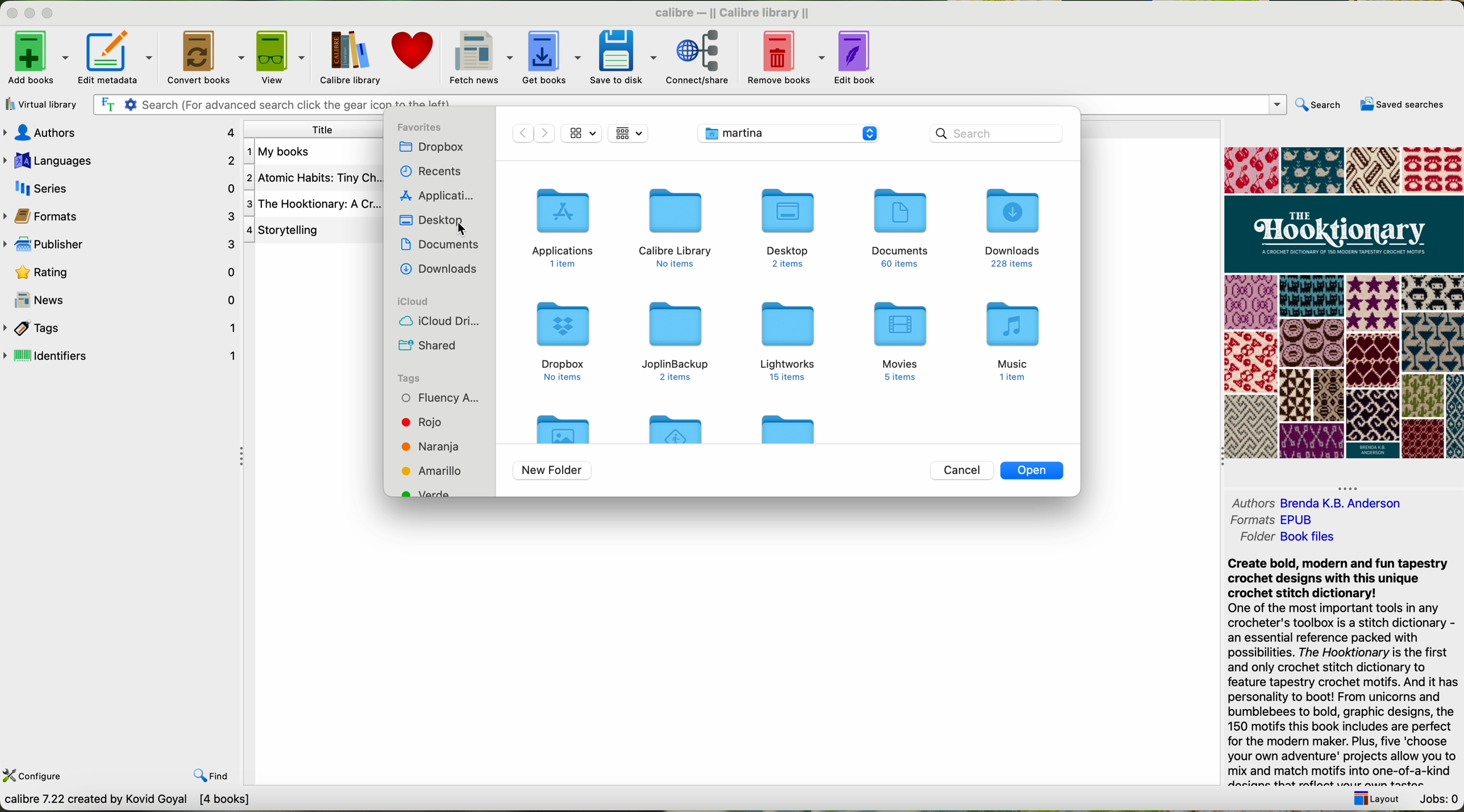  What do you see at coordinates (306, 205) in the screenshot?
I see `Storytelling book details` at bounding box center [306, 205].